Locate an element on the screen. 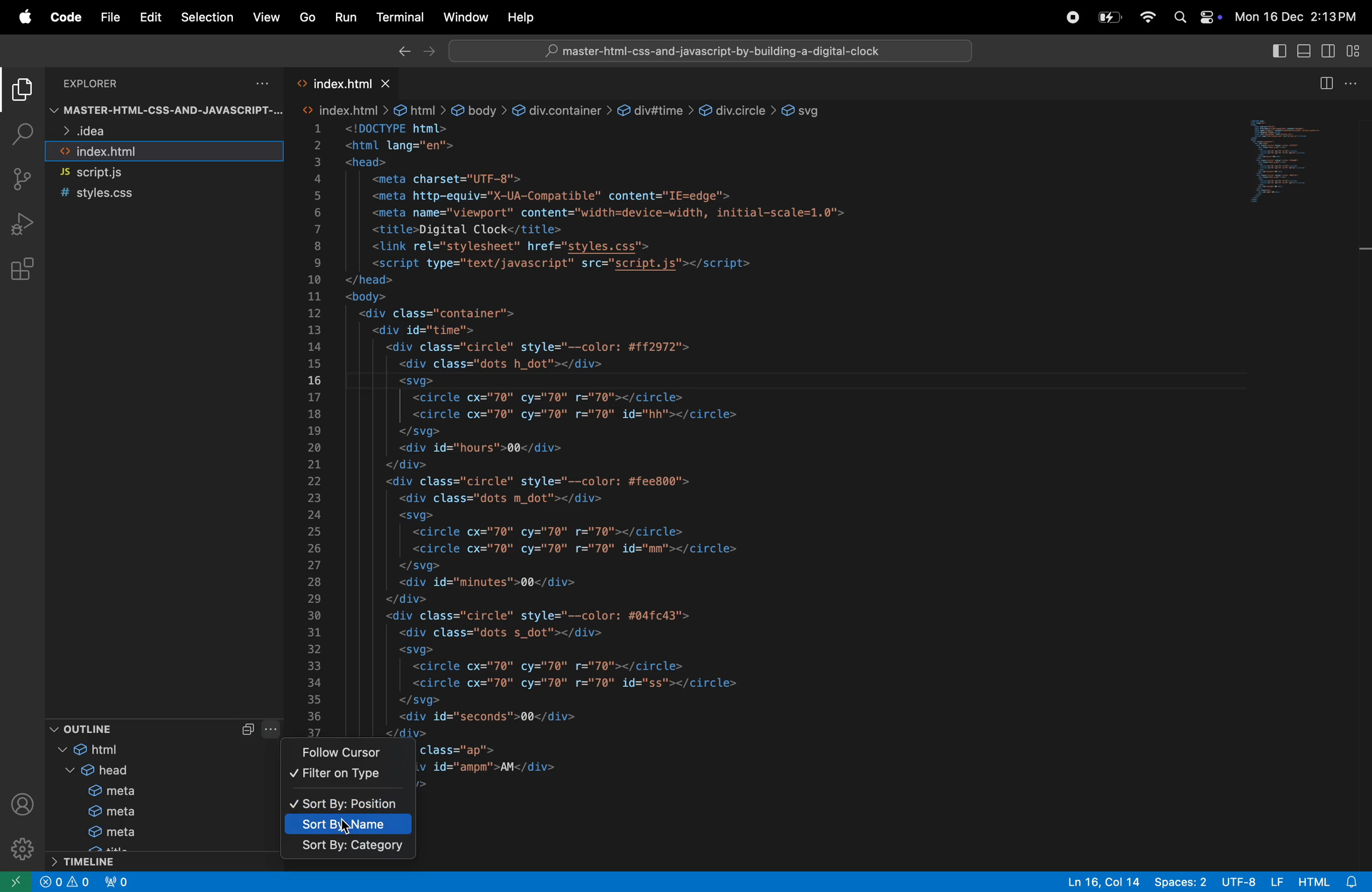 Image resolution: width=1372 pixels, height=892 pixels. meta is located at coordinates (163, 790).